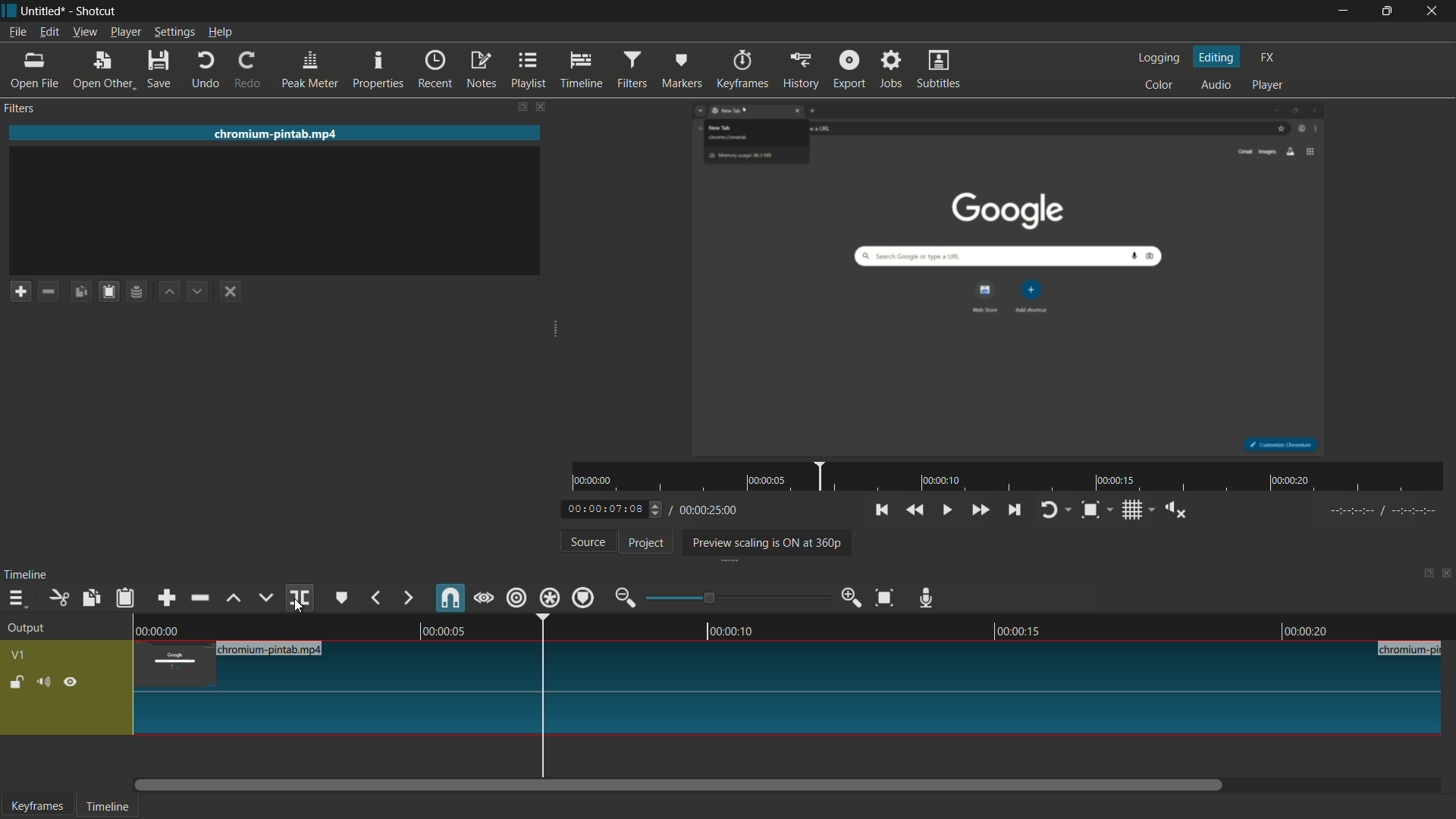 Image resolution: width=1456 pixels, height=819 pixels. Describe the element at coordinates (265, 598) in the screenshot. I see `overwrite` at that location.